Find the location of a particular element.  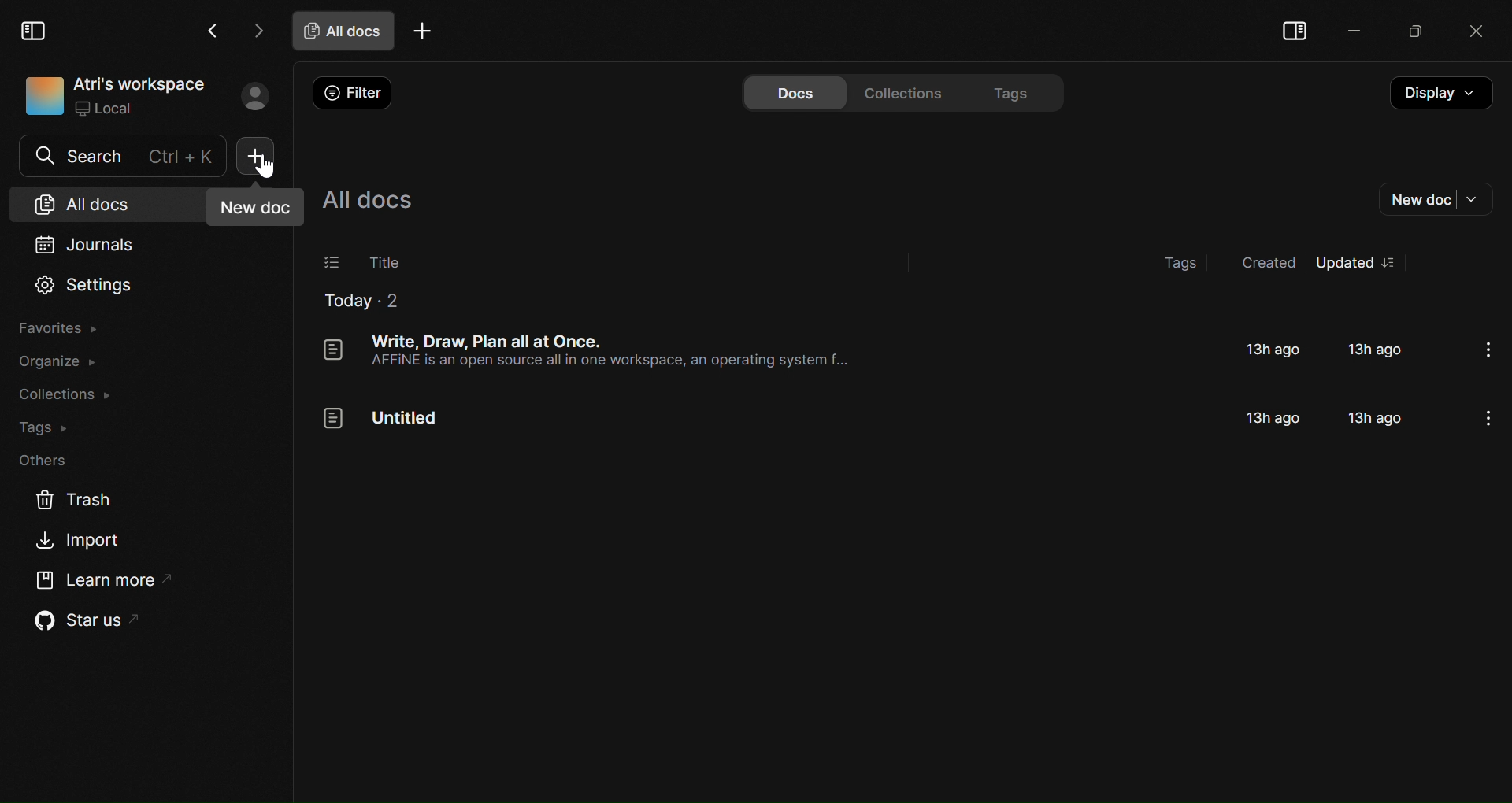

Docs is located at coordinates (793, 92).